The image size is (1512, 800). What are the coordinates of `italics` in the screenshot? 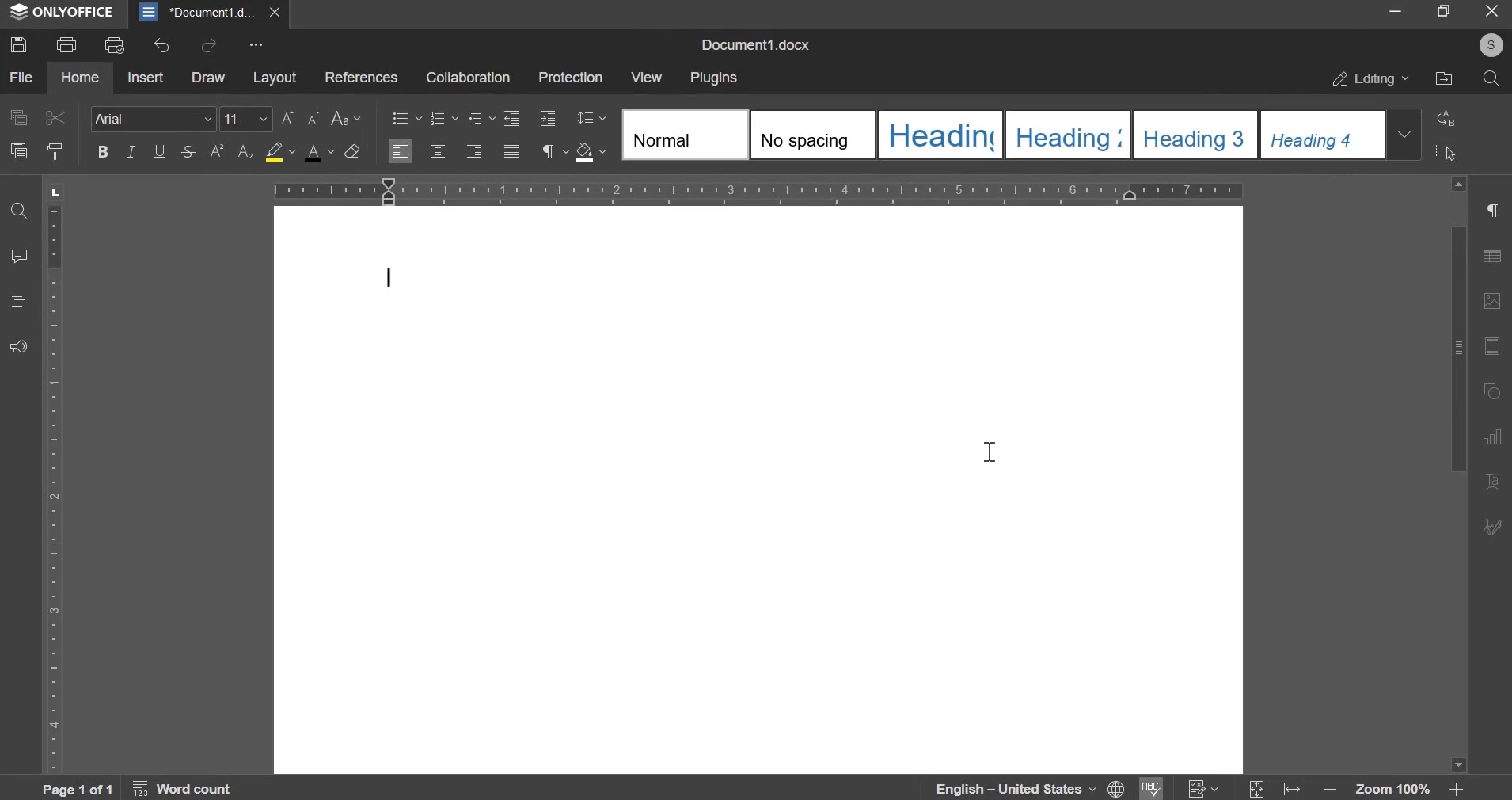 It's located at (135, 152).